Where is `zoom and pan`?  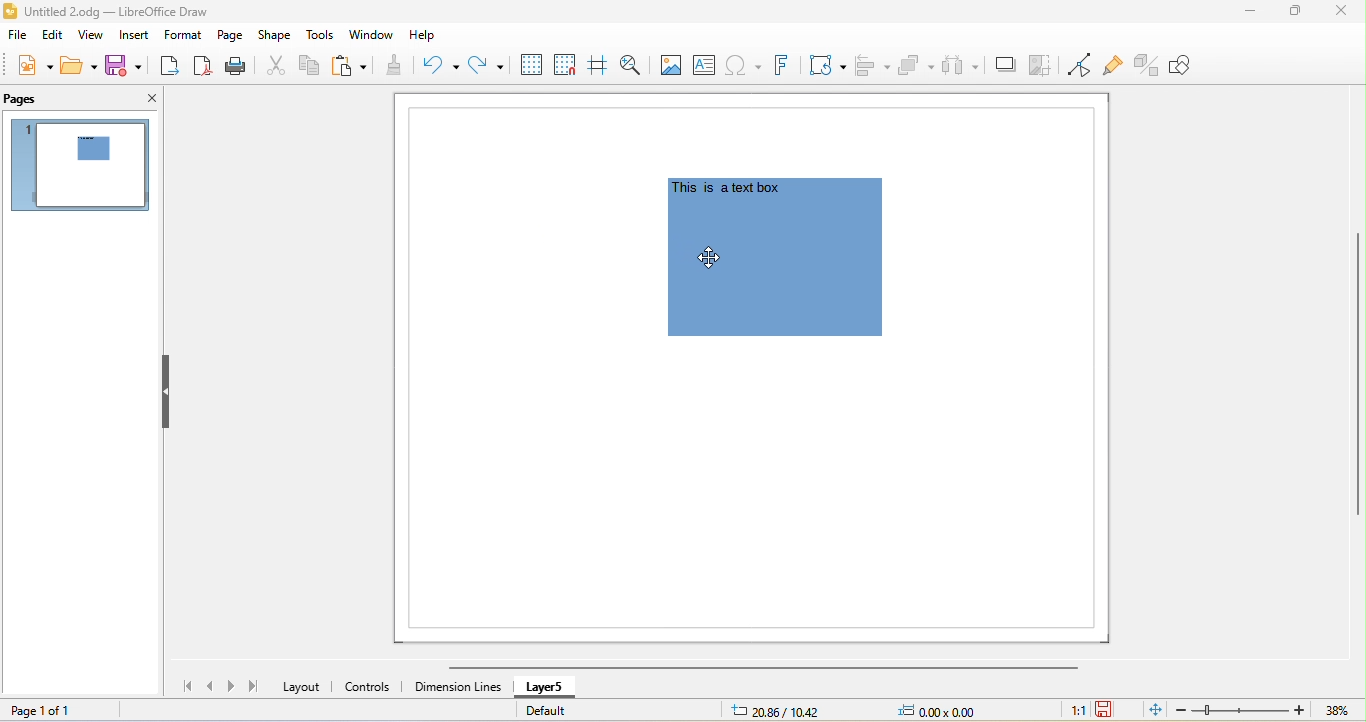
zoom and pan is located at coordinates (636, 64).